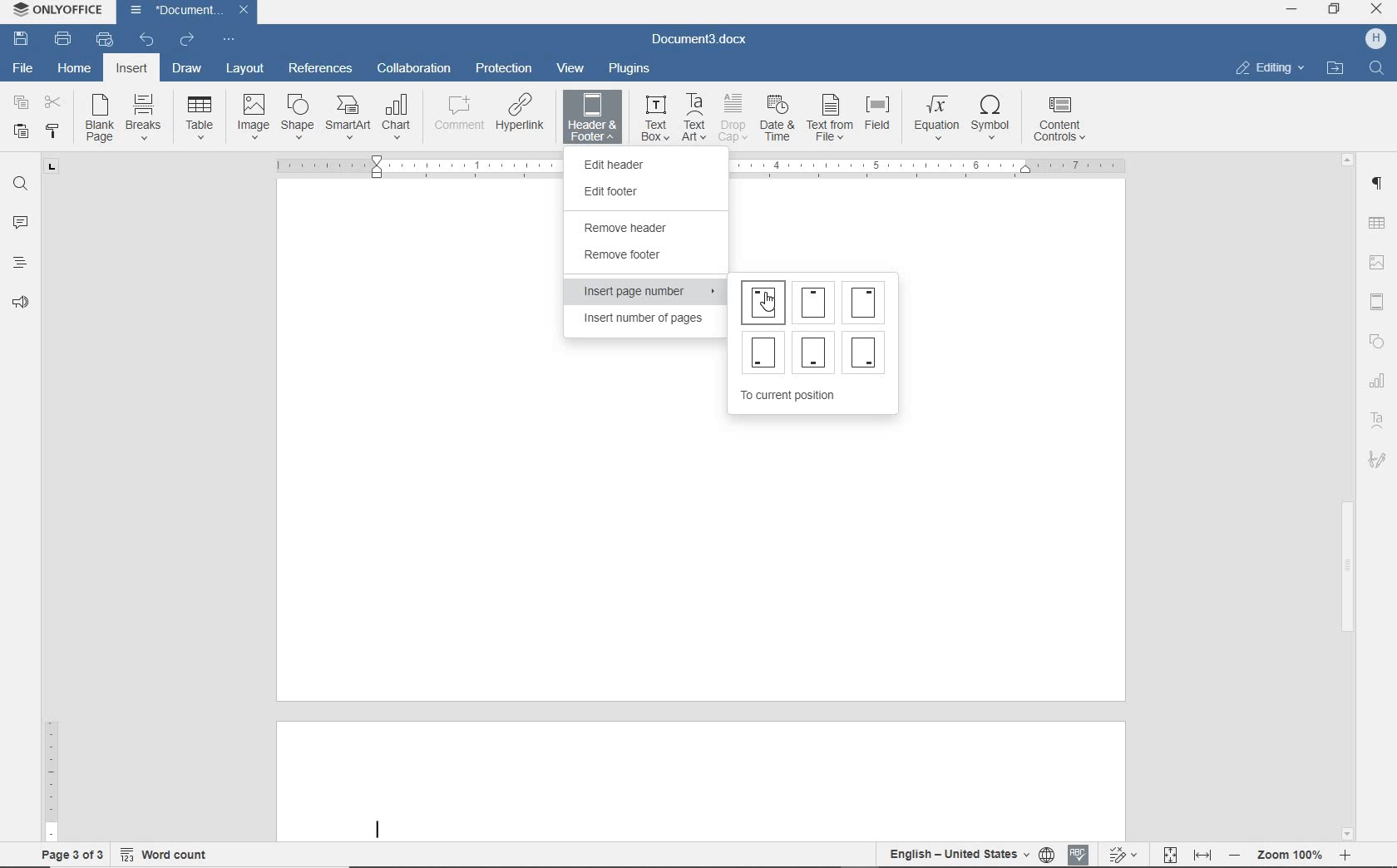  What do you see at coordinates (76, 69) in the screenshot?
I see `HOME` at bounding box center [76, 69].